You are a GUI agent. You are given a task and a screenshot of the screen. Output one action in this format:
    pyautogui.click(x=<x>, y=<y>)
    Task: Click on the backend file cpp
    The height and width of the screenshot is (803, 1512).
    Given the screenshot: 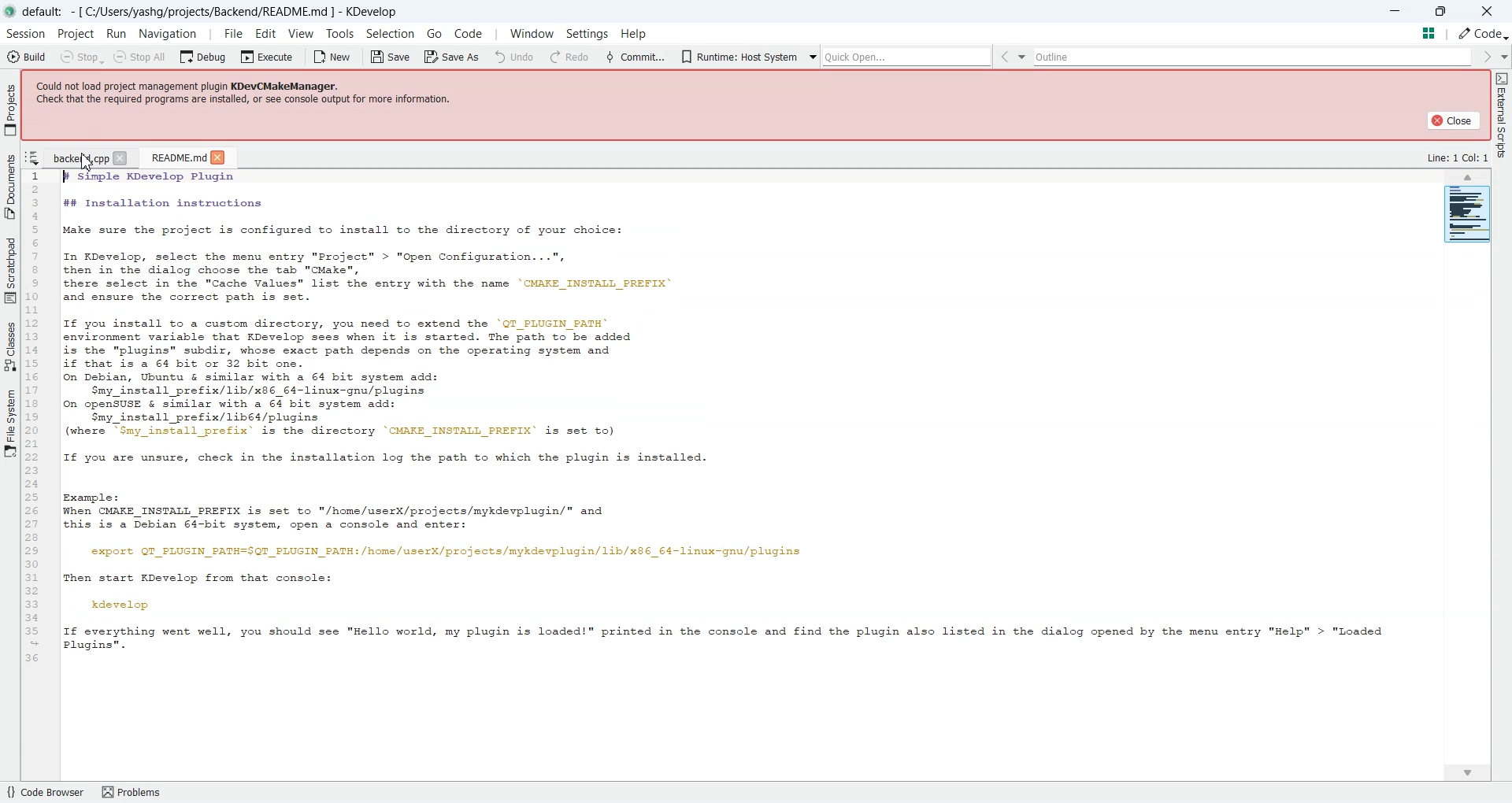 What is the action you would take?
    pyautogui.click(x=79, y=157)
    